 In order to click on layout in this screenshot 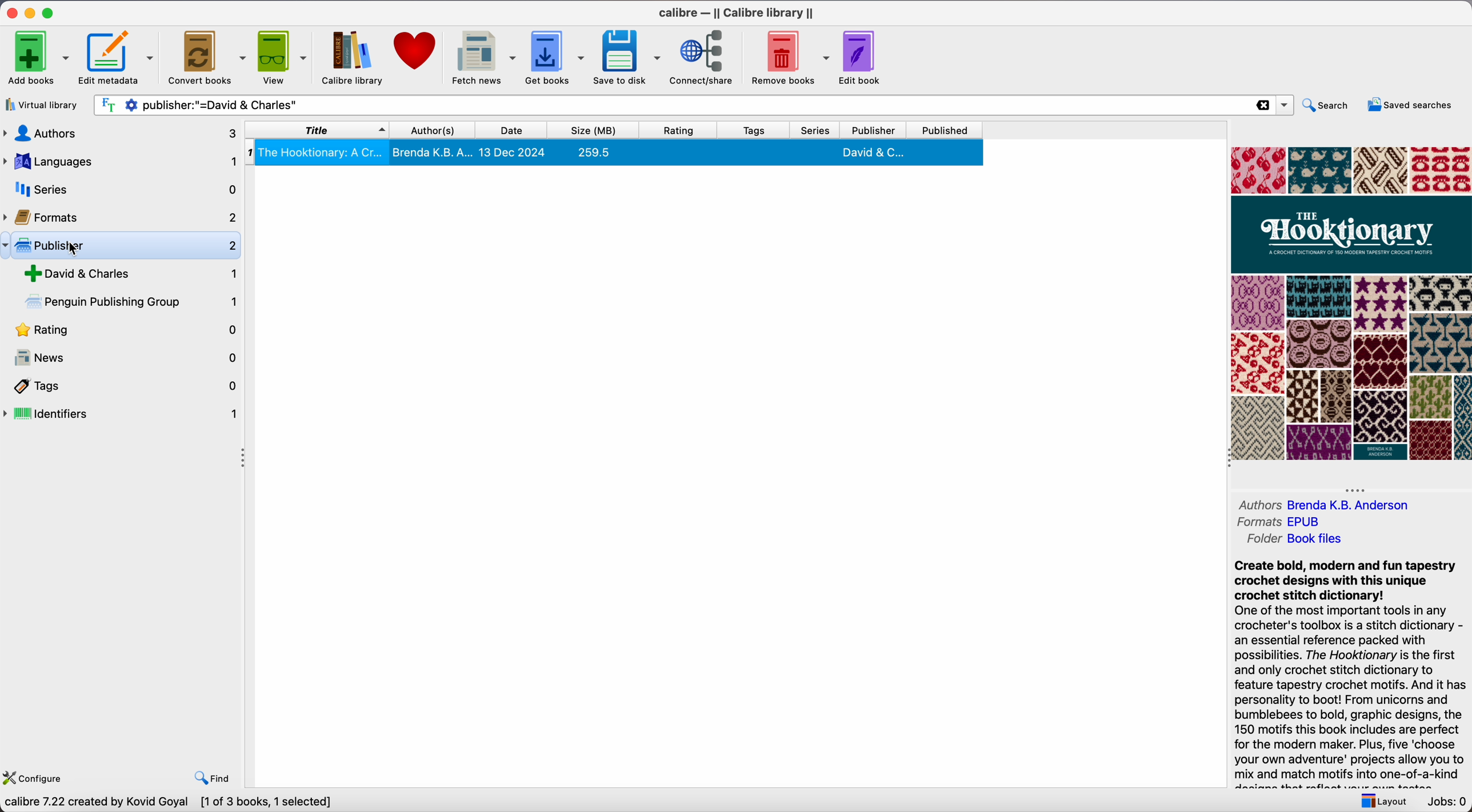, I will do `click(1381, 800)`.